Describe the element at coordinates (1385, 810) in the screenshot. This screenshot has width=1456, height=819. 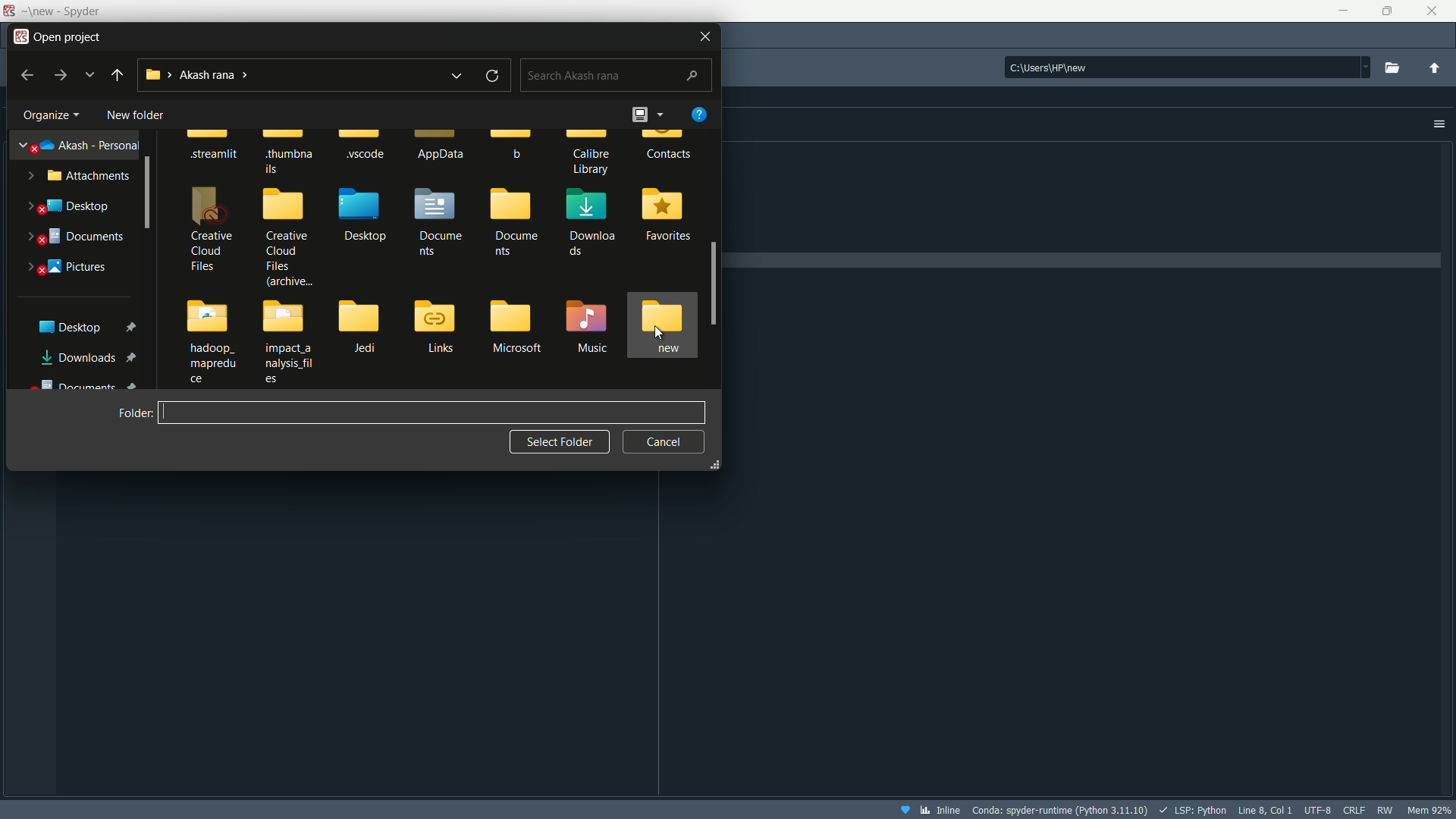
I see `rw` at that location.